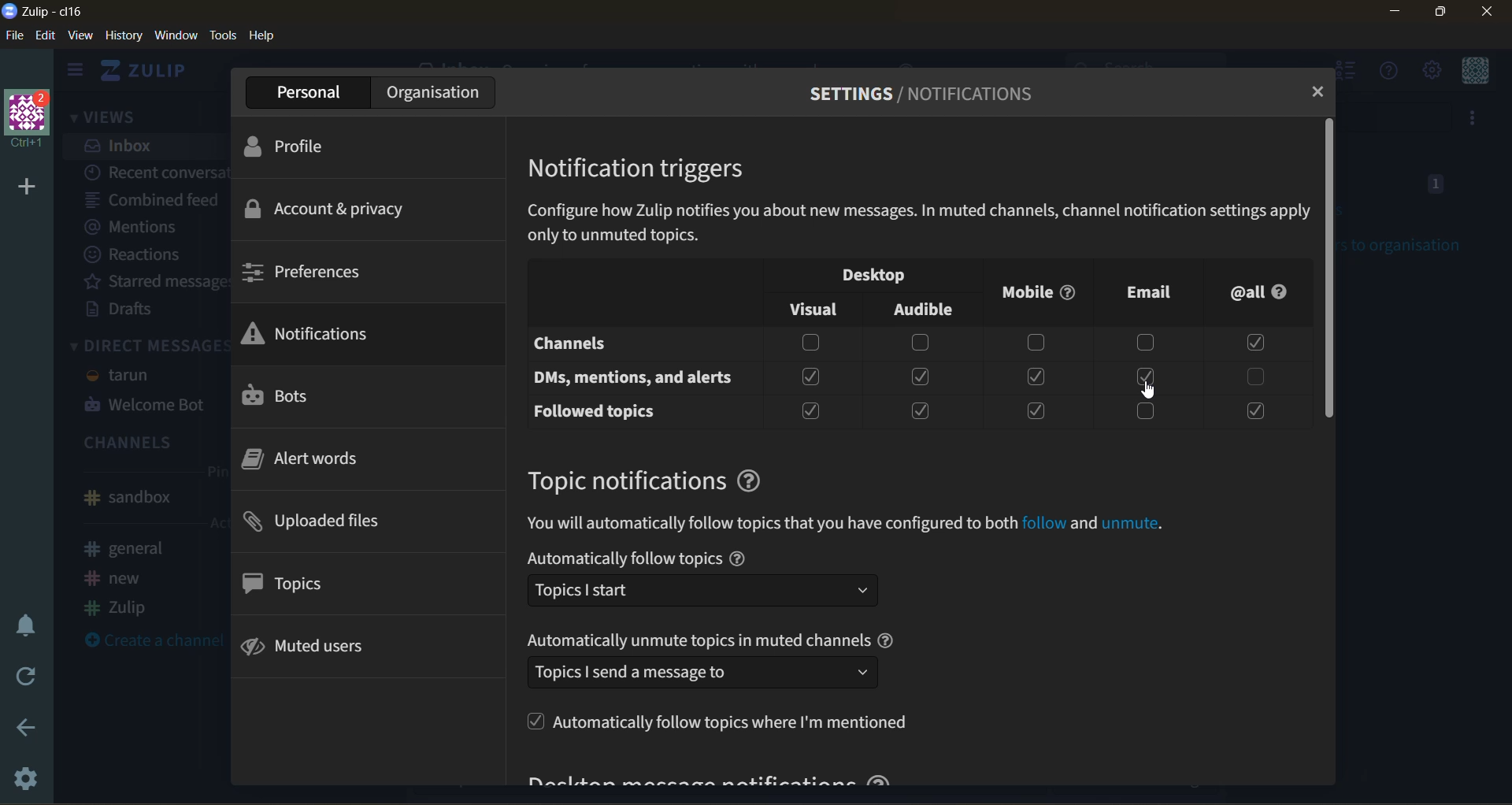 This screenshot has width=1512, height=805. Describe the element at coordinates (15, 36) in the screenshot. I see `file` at that location.